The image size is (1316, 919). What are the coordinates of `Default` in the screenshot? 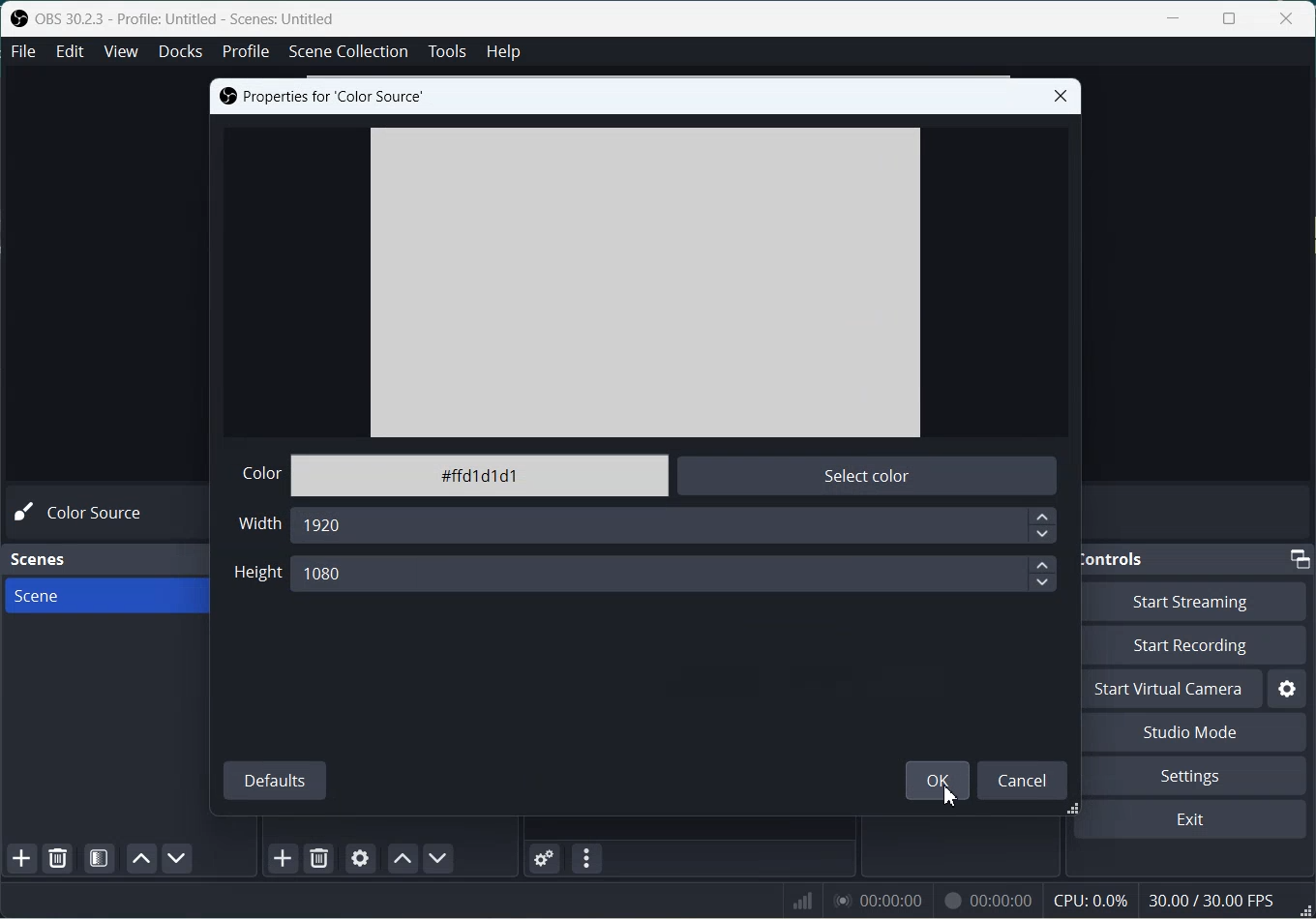 It's located at (274, 779).